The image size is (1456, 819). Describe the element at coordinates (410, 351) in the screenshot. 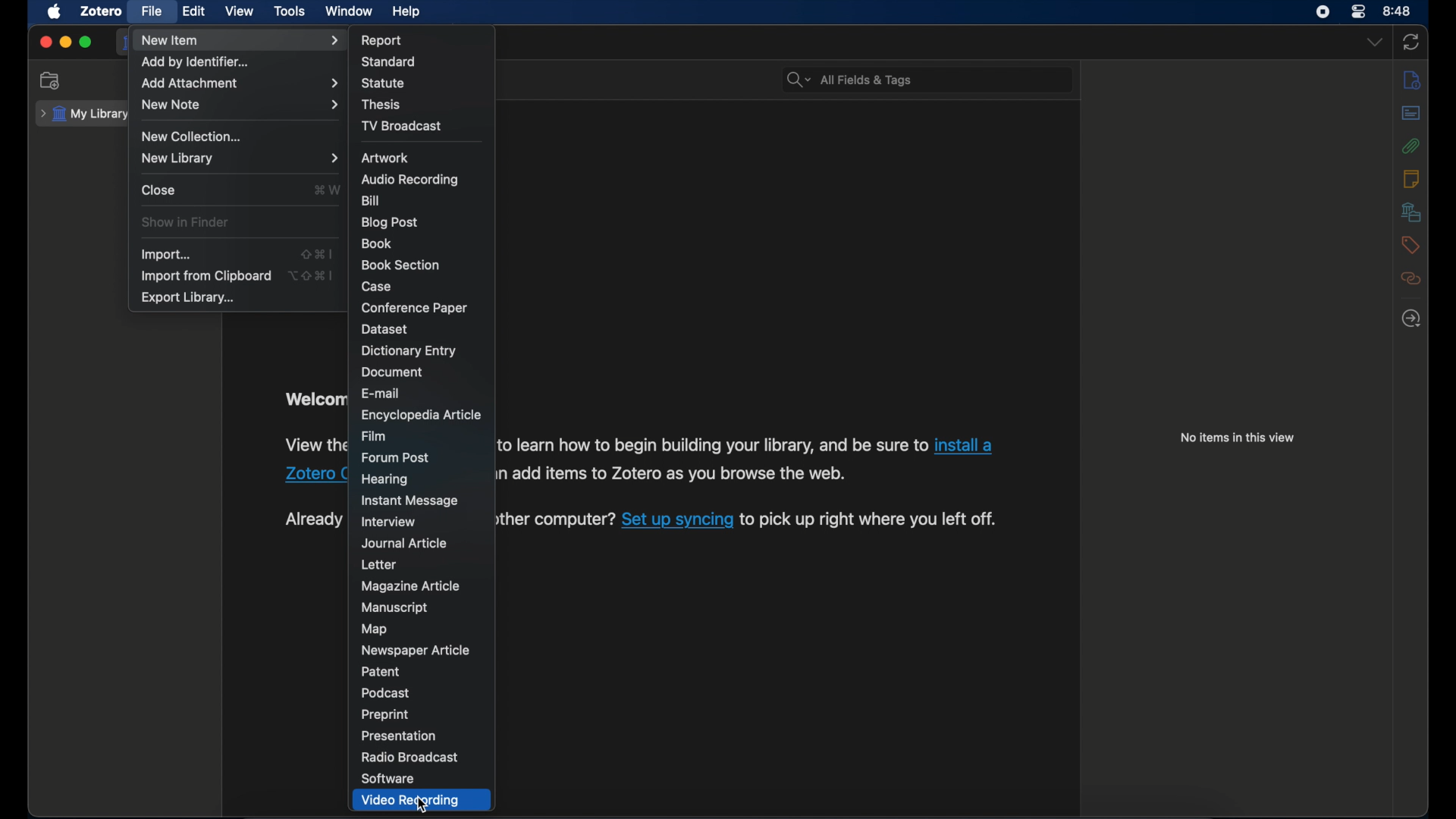

I see `dictionary entry` at that location.